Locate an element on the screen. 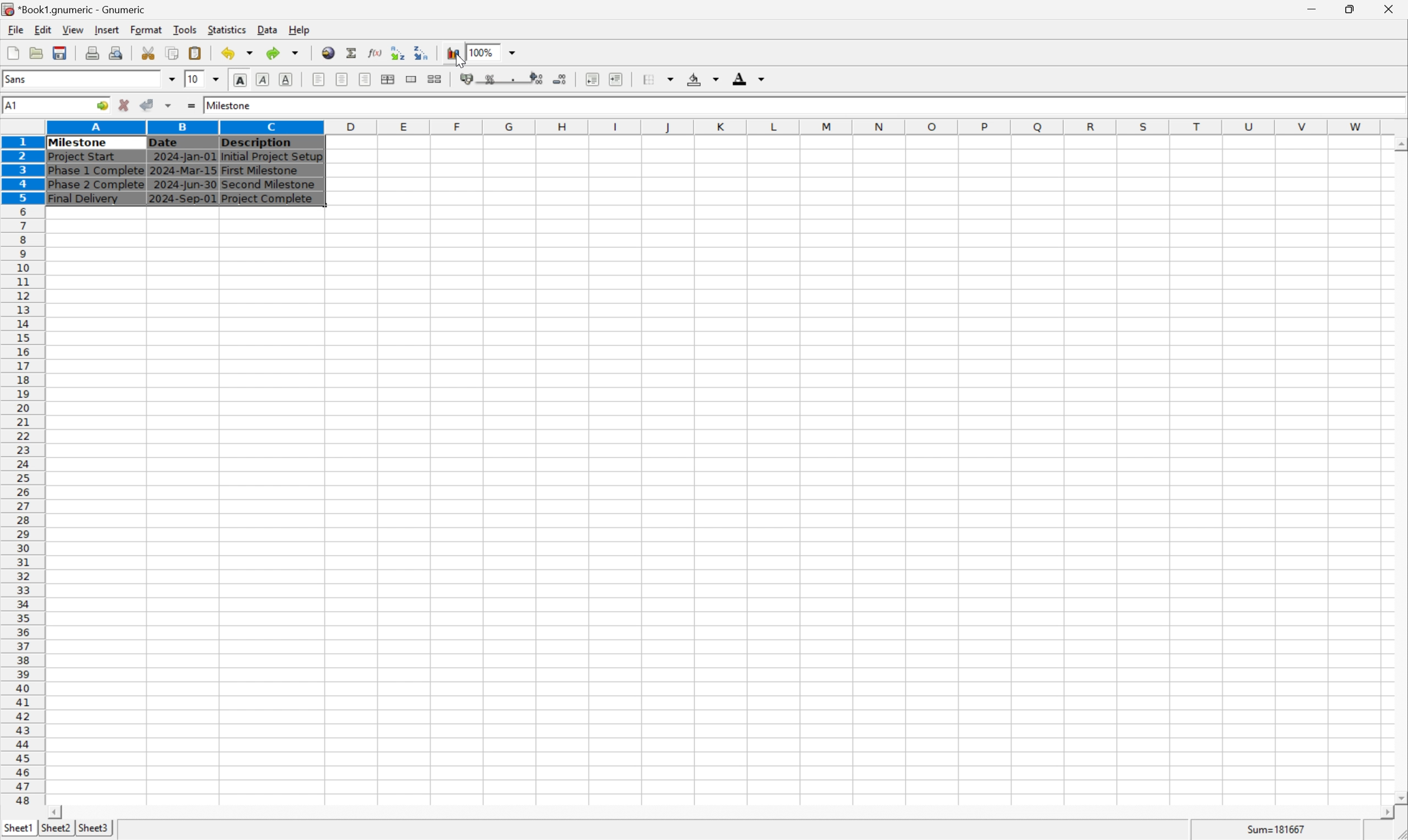 The height and width of the screenshot is (840, 1408). 100% is located at coordinates (483, 50).